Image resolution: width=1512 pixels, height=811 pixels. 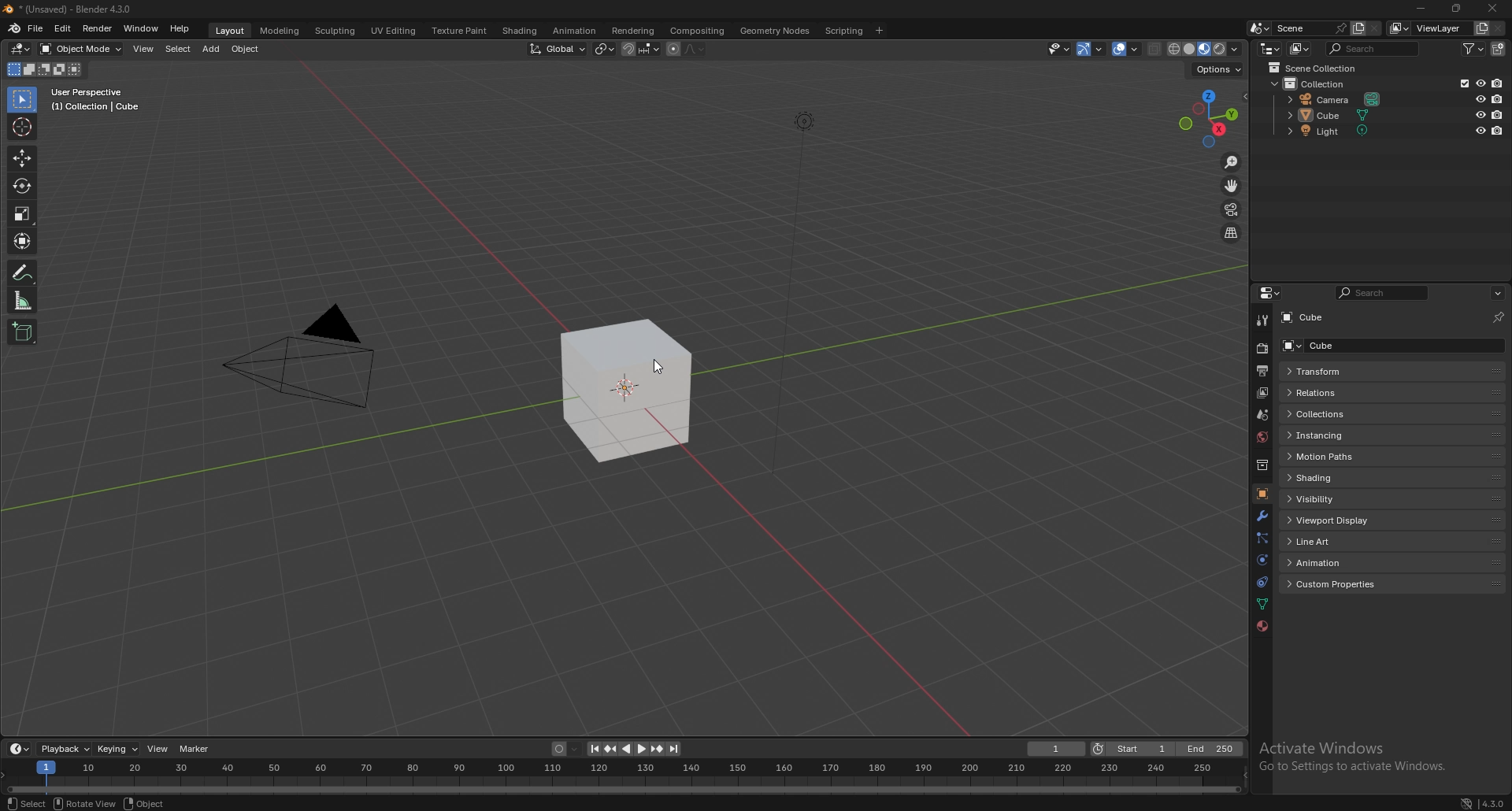 What do you see at coordinates (1339, 392) in the screenshot?
I see `relations` at bounding box center [1339, 392].